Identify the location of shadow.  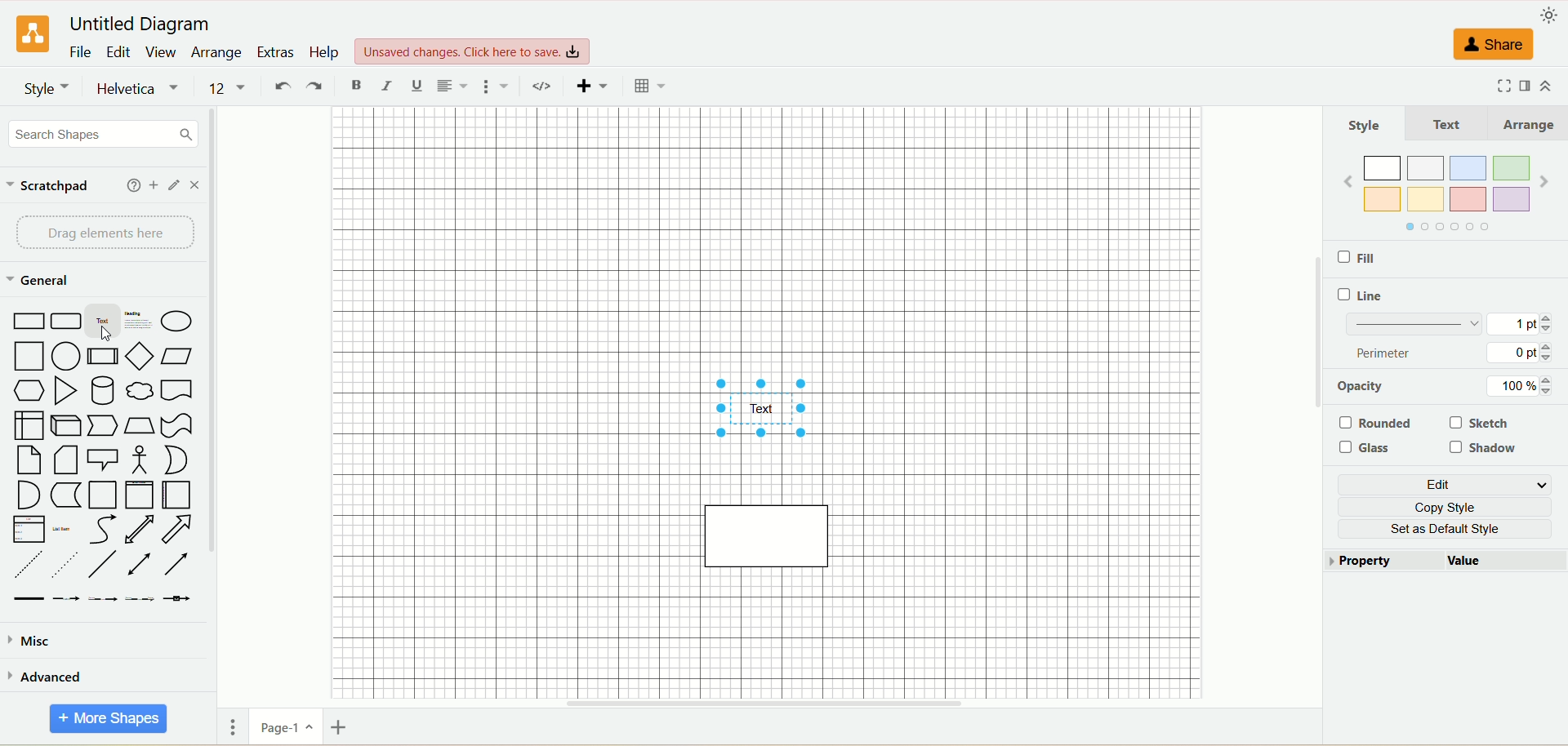
(1486, 446).